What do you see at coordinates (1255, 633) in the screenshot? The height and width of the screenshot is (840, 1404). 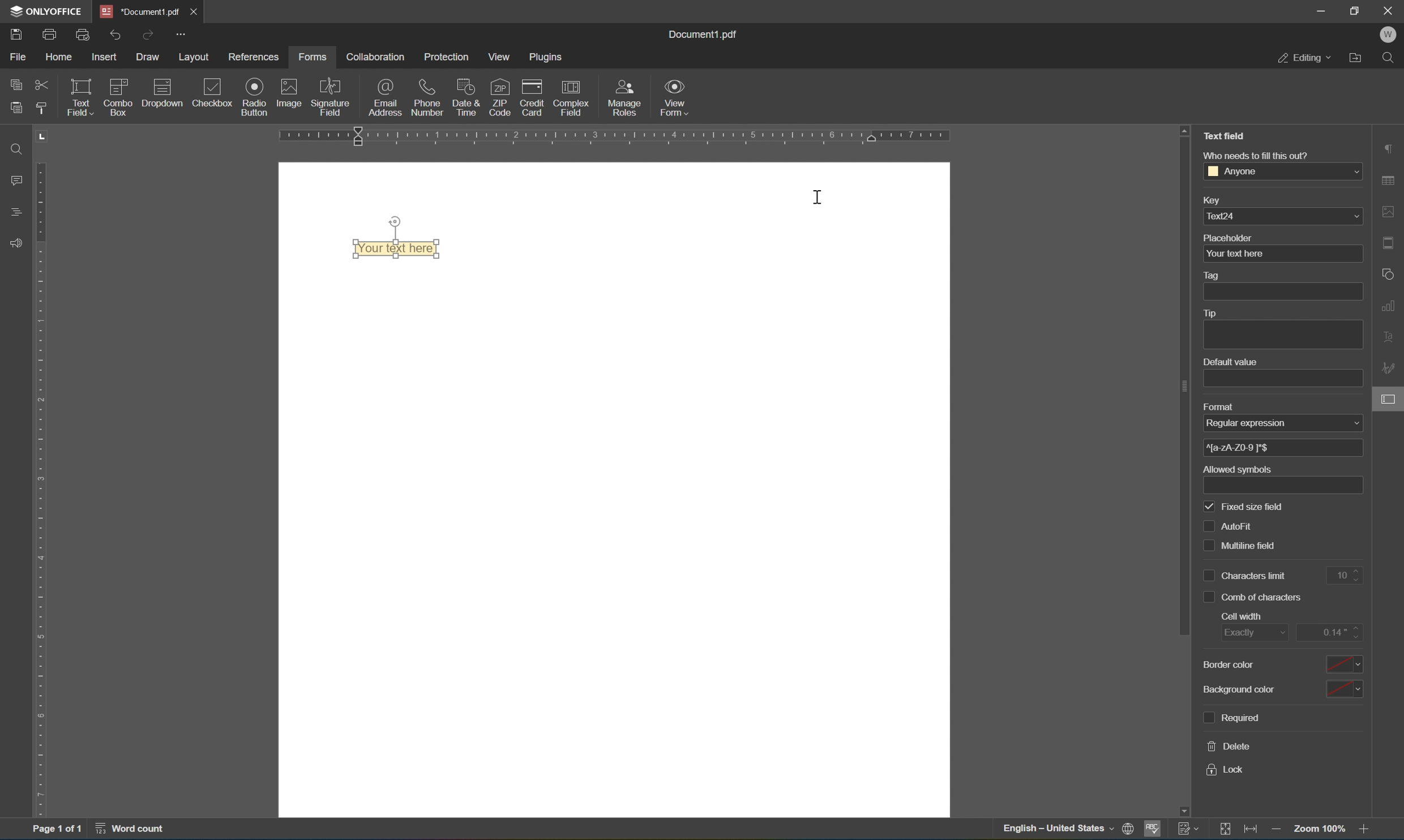 I see `exactly` at bounding box center [1255, 633].